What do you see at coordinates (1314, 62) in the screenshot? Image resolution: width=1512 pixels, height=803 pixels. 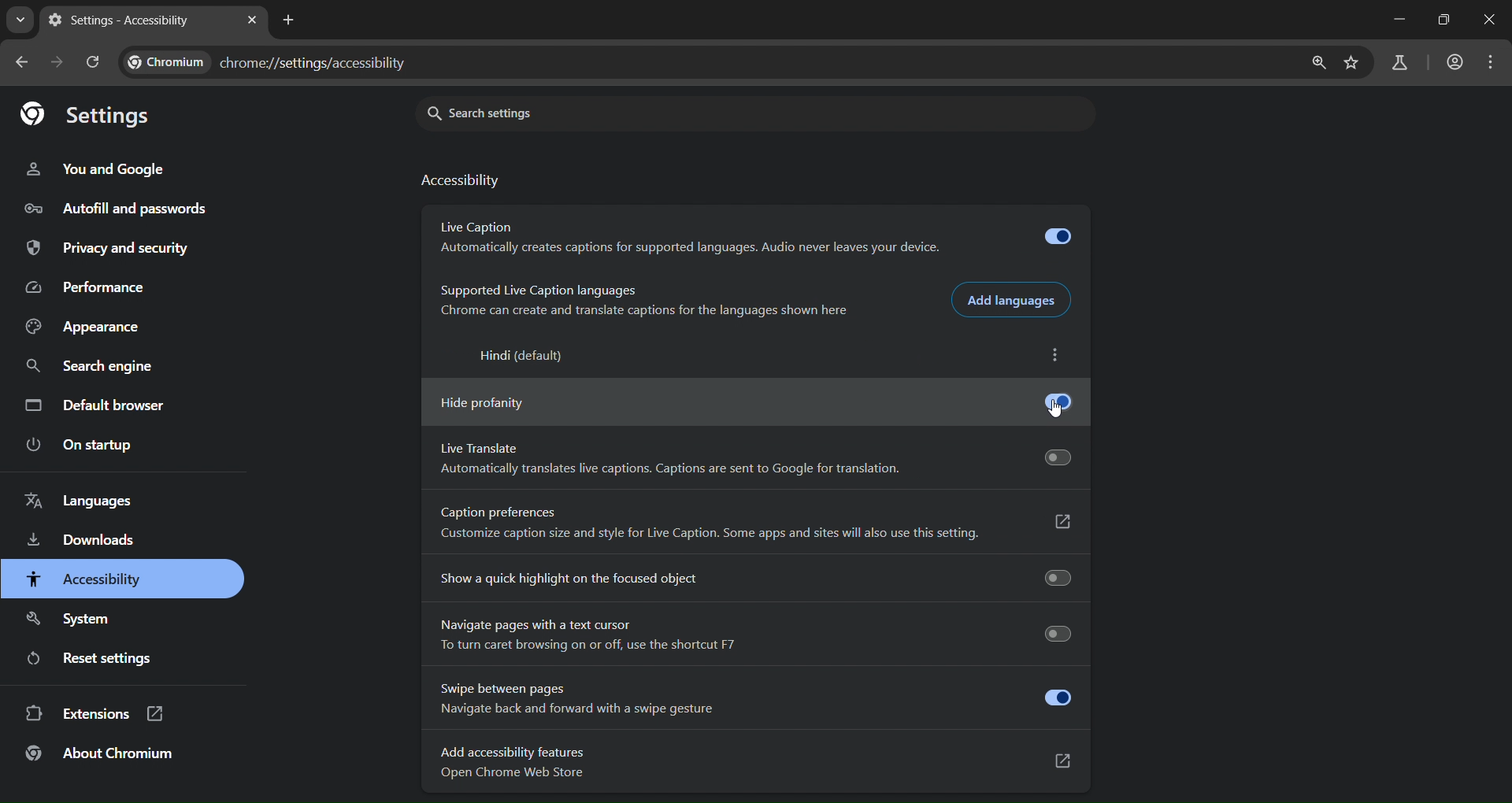 I see `zoom` at bounding box center [1314, 62].